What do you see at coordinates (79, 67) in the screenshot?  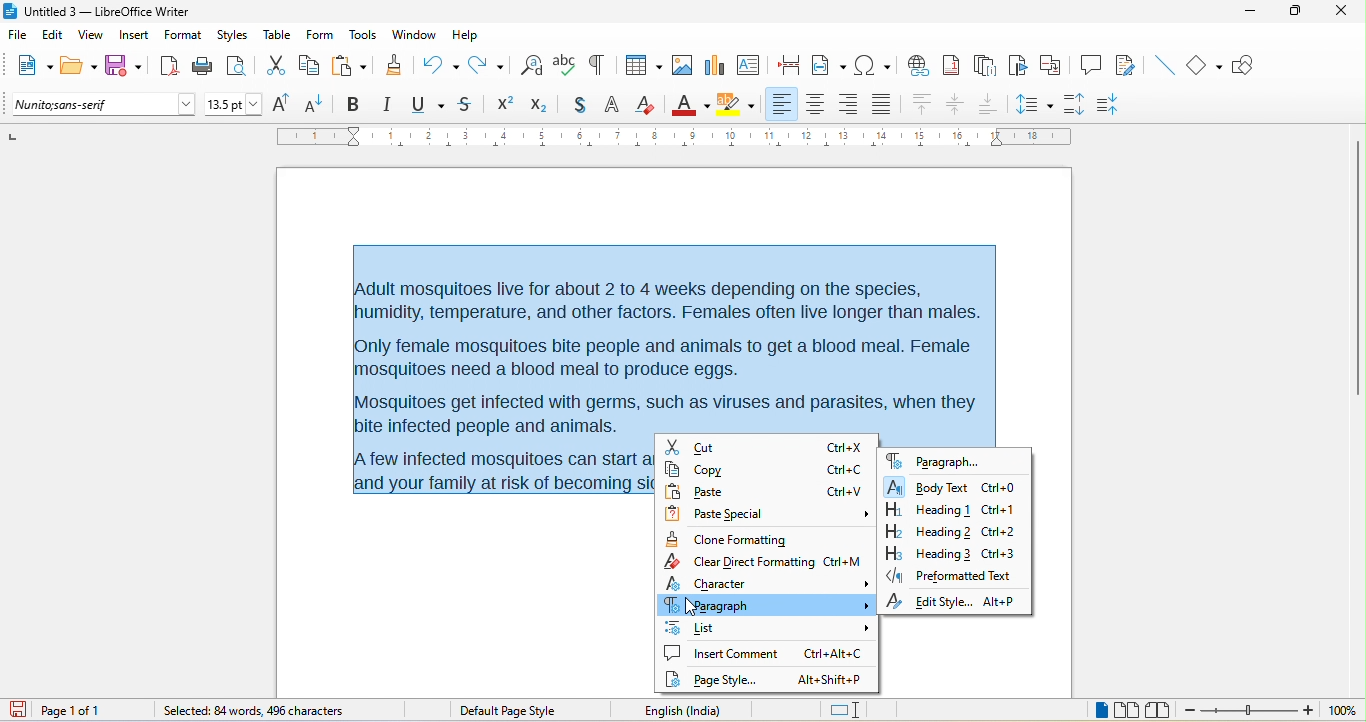 I see `open` at bounding box center [79, 67].